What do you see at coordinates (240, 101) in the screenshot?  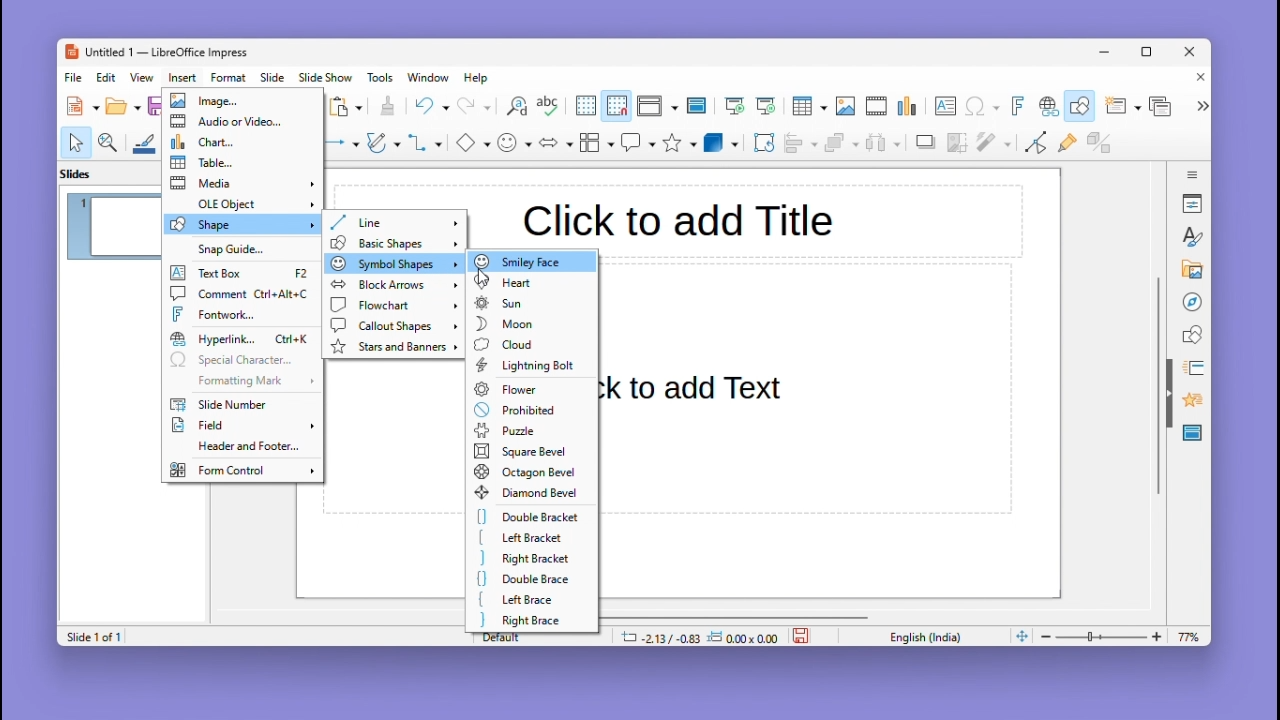 I see `Image` at bounding box center [240, 101].